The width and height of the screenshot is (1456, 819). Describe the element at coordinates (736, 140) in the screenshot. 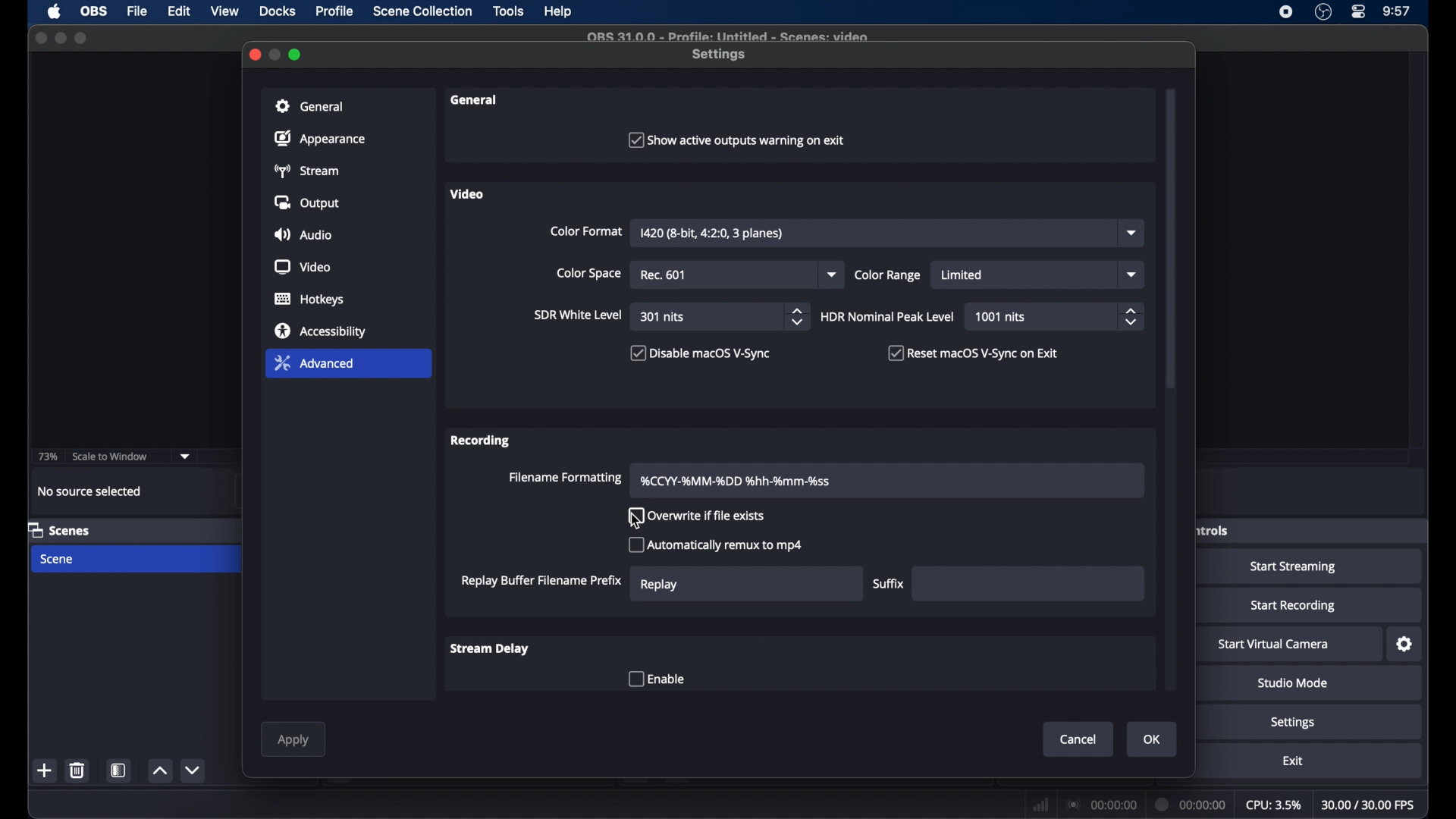

I see `checkbox` at that location.